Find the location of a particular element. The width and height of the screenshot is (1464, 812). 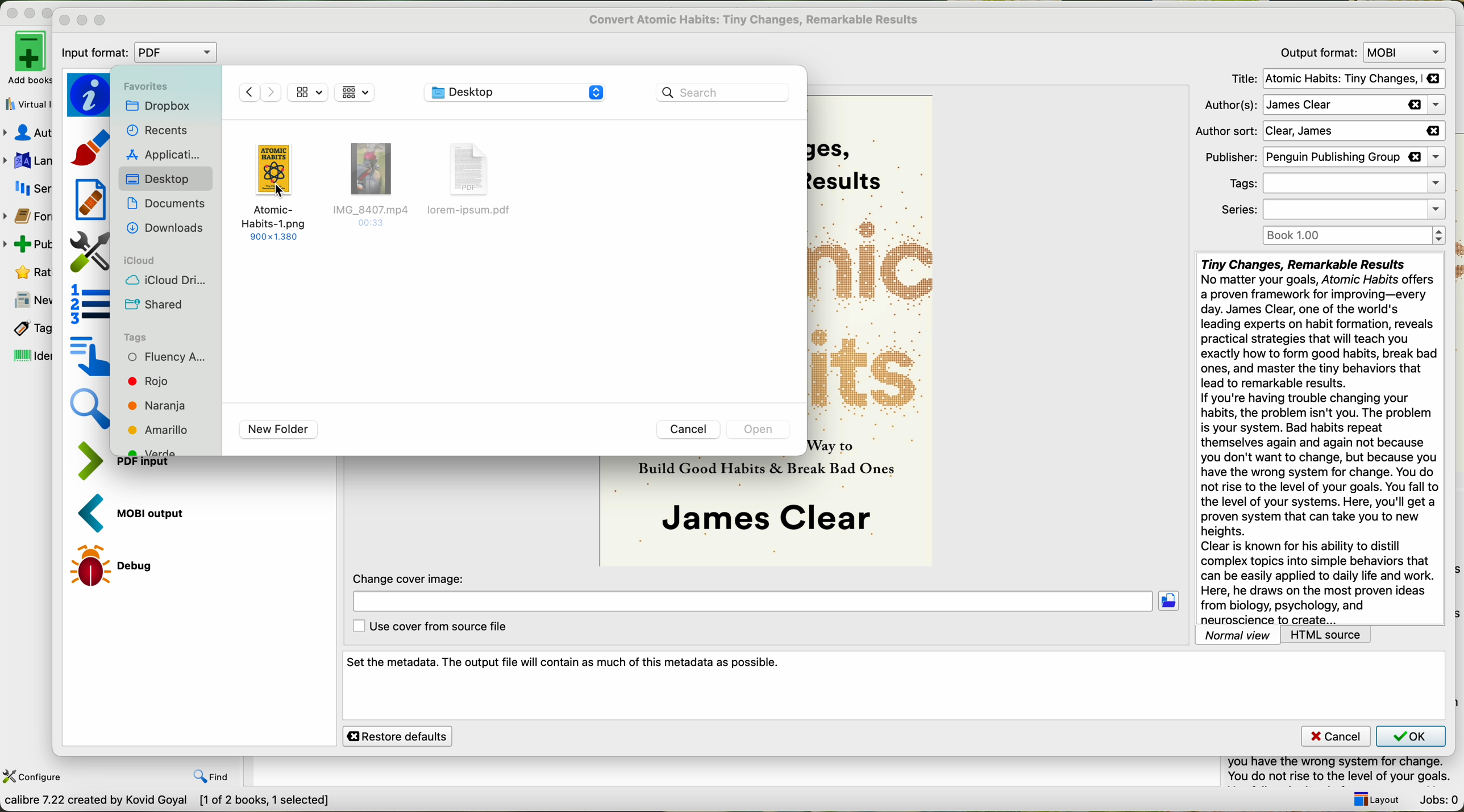

yellow tag is located at coordinates (163, 430).